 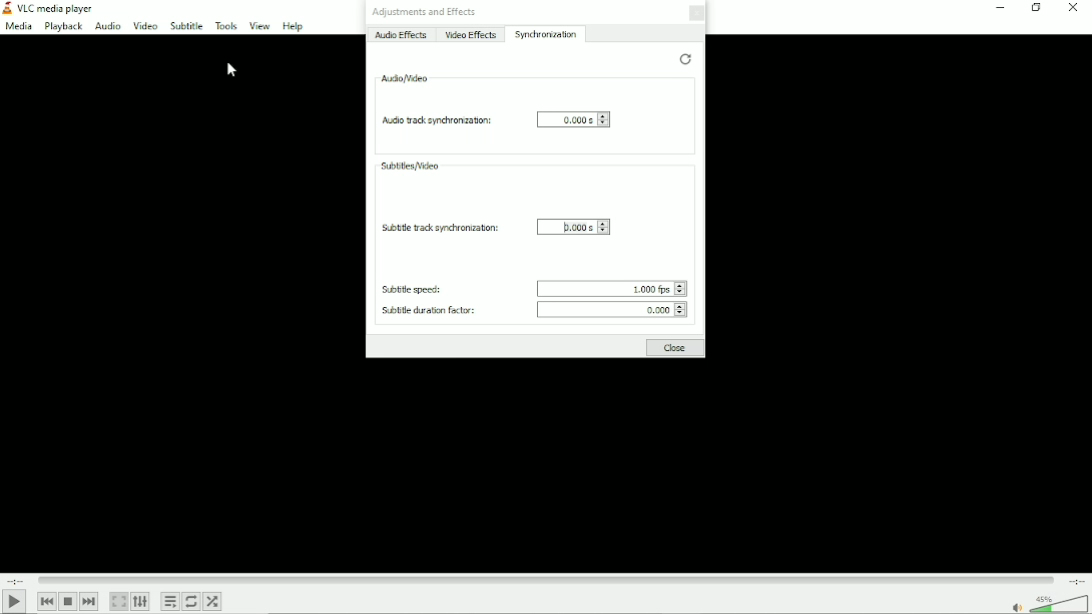 What do you see at coordinates (1048, 604) in the screenshot?
I see `volume` at bounding box center [1048, 604].